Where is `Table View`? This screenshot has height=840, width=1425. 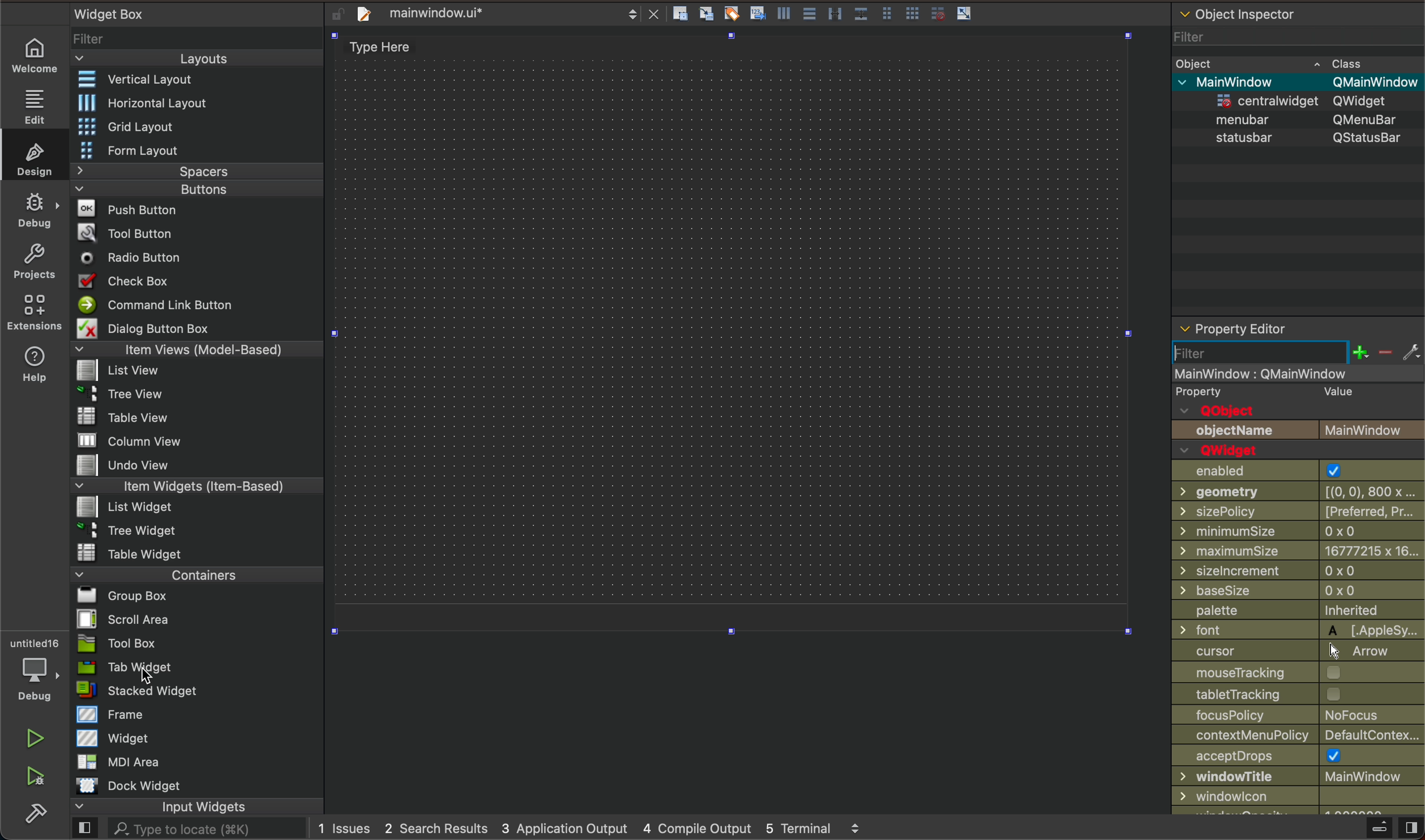 Table View is located at coordinates (109, 413).